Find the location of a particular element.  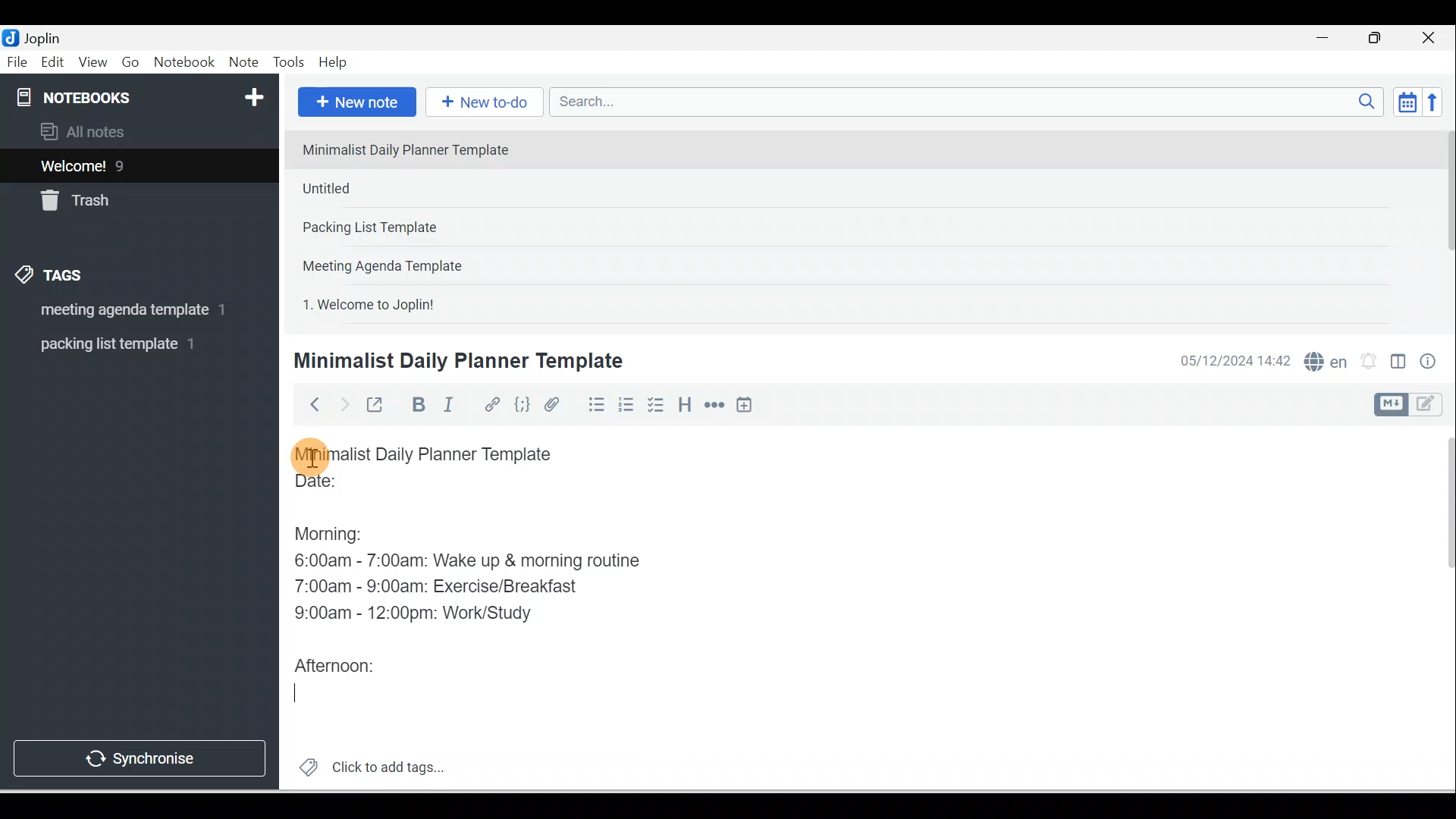

Hyperlink is located at coordinates (491, 406).